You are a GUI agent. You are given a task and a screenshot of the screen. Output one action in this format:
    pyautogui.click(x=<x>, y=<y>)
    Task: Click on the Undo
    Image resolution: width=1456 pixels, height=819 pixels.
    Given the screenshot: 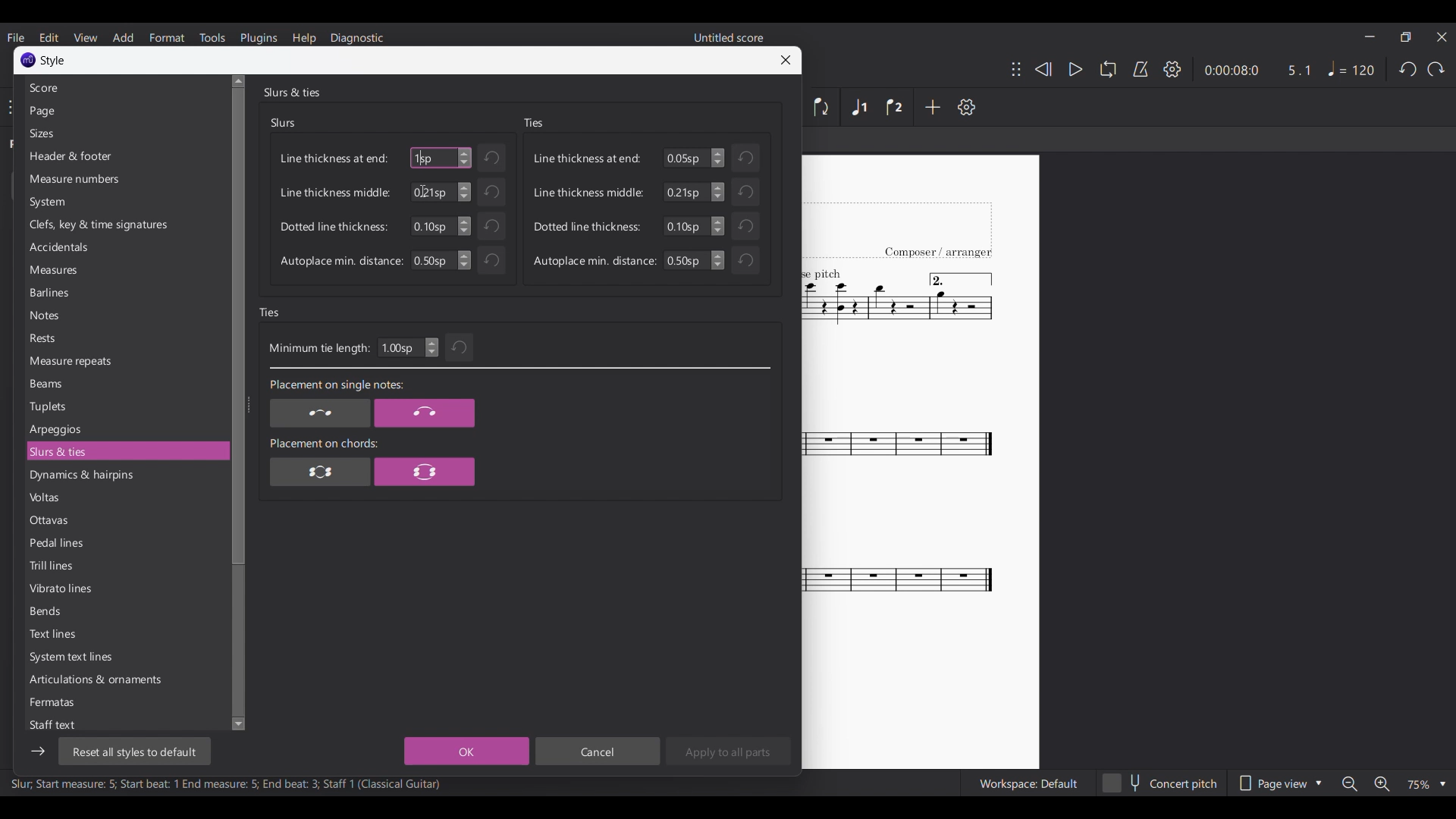 What is the action you would take?
    pyautogui.click(x=491, y=192)
    